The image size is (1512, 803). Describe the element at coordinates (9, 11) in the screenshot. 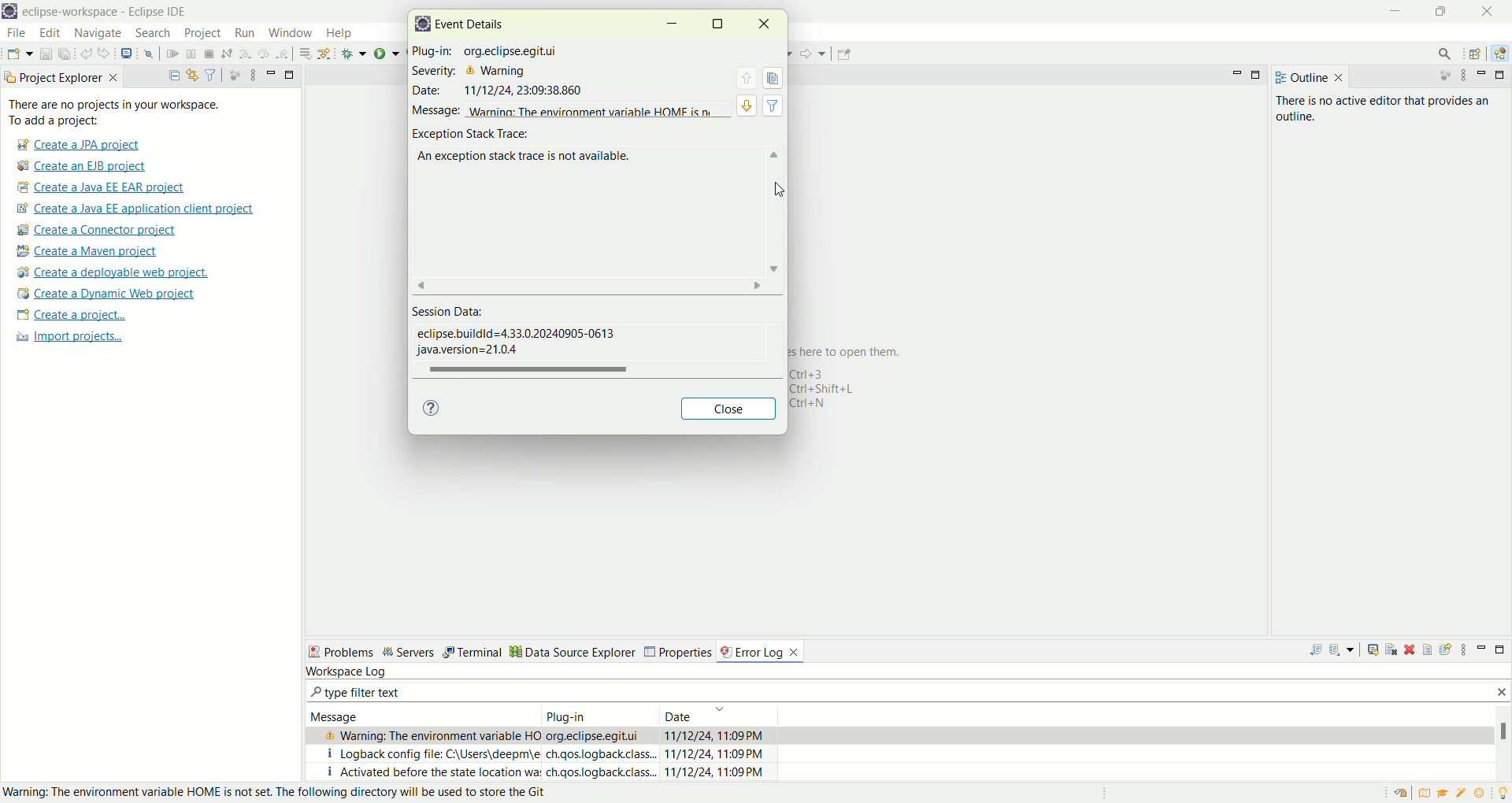

I see `logo` at that location.